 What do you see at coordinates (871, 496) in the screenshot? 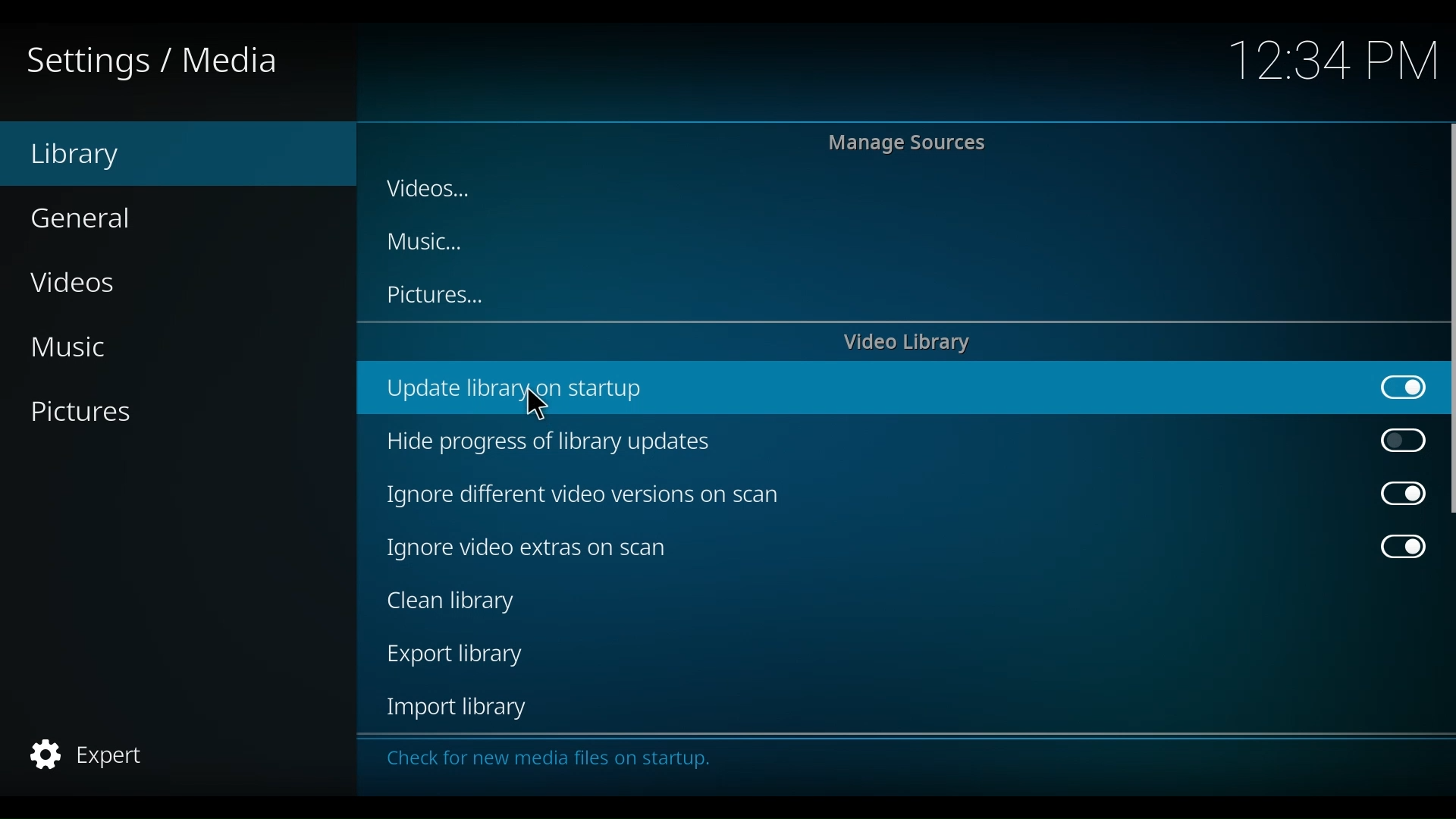
I see `Ignore different video version scans` at bounding box center [871, 496].